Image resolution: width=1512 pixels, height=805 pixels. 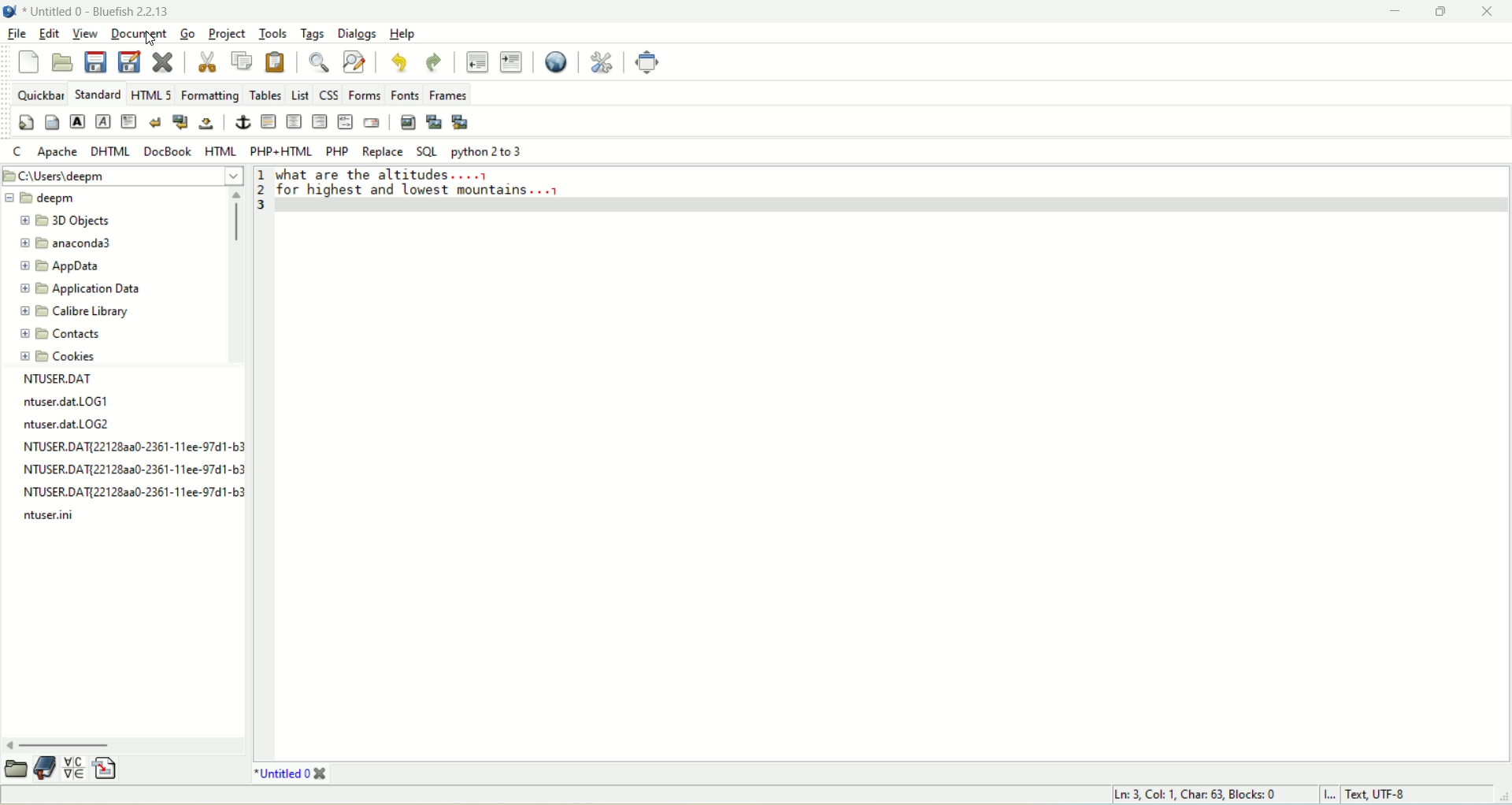 What do you see at coordinates (299, 93) in the screenshot?
I see `list` at bounding box center [299, 93].